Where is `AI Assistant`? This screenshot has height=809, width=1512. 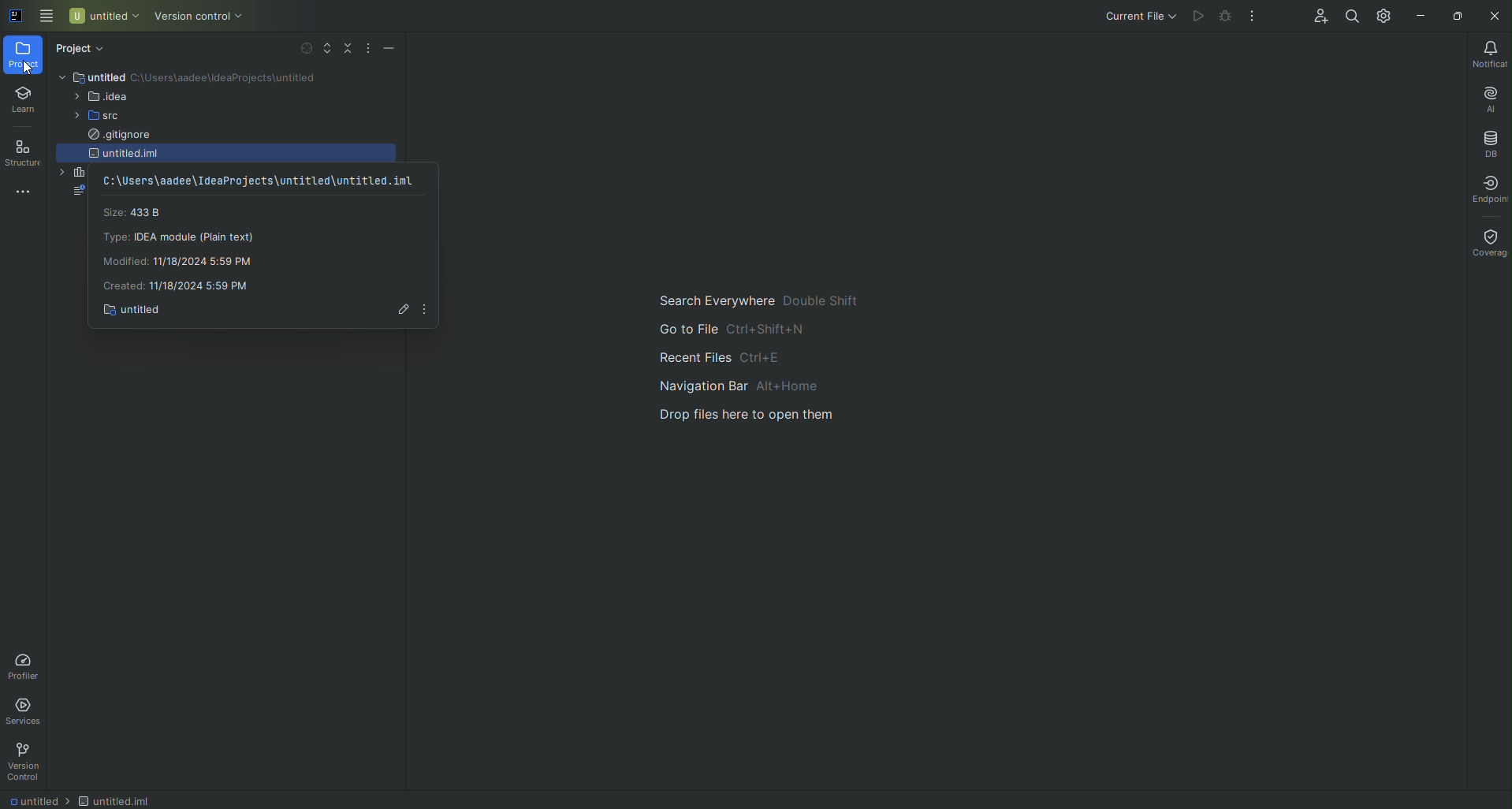
AI Assistant is located at coordinates (1488, 97).